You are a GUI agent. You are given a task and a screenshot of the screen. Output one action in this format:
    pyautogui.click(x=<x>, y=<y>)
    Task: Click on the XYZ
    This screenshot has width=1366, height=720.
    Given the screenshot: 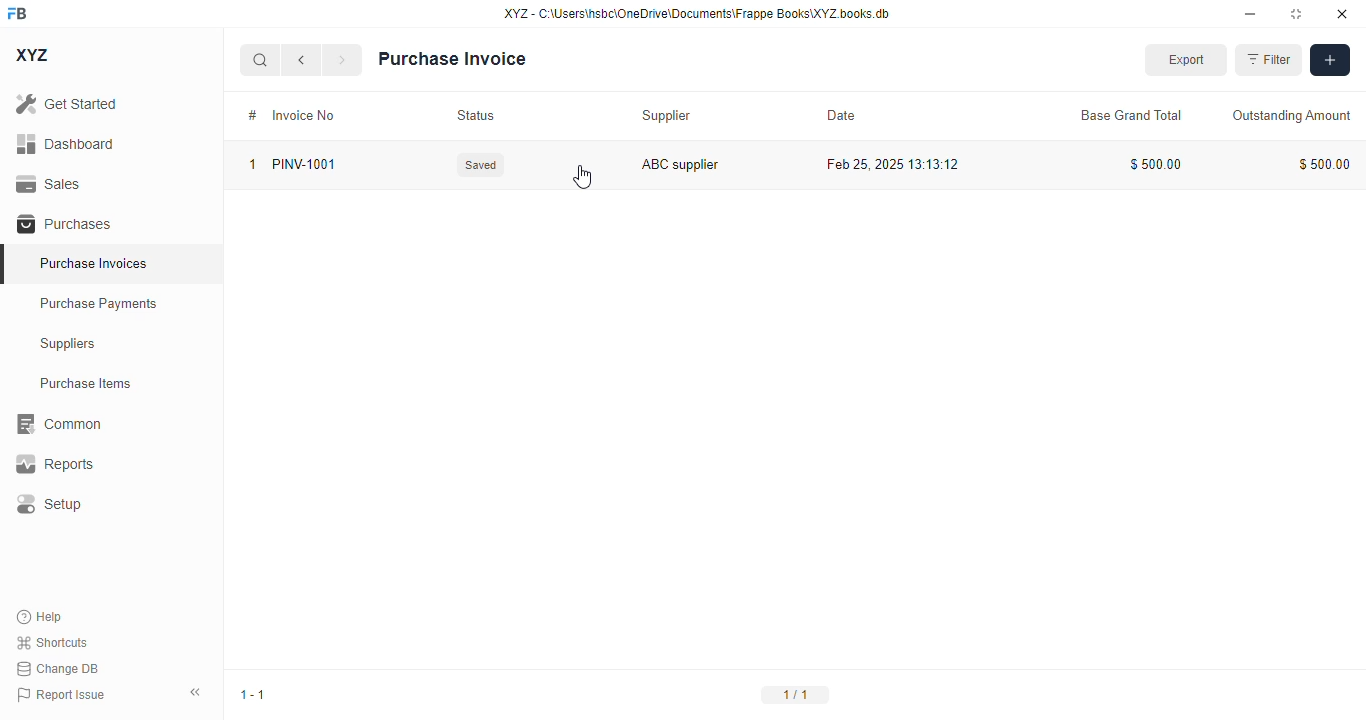 What is the action you would take?
    pyautogui.click(x=34, y=55)
    